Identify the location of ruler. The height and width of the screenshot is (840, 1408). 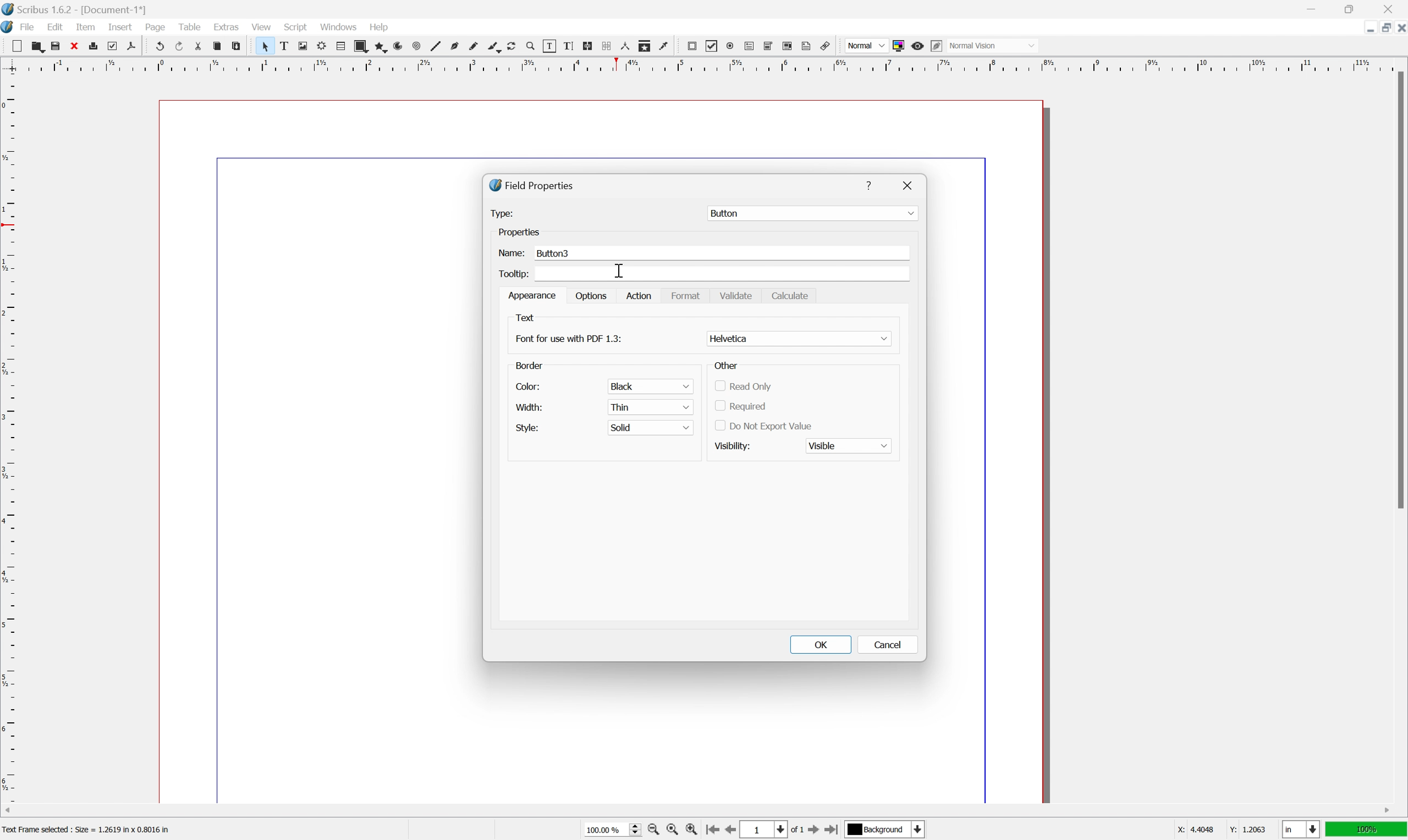
(9, 437).